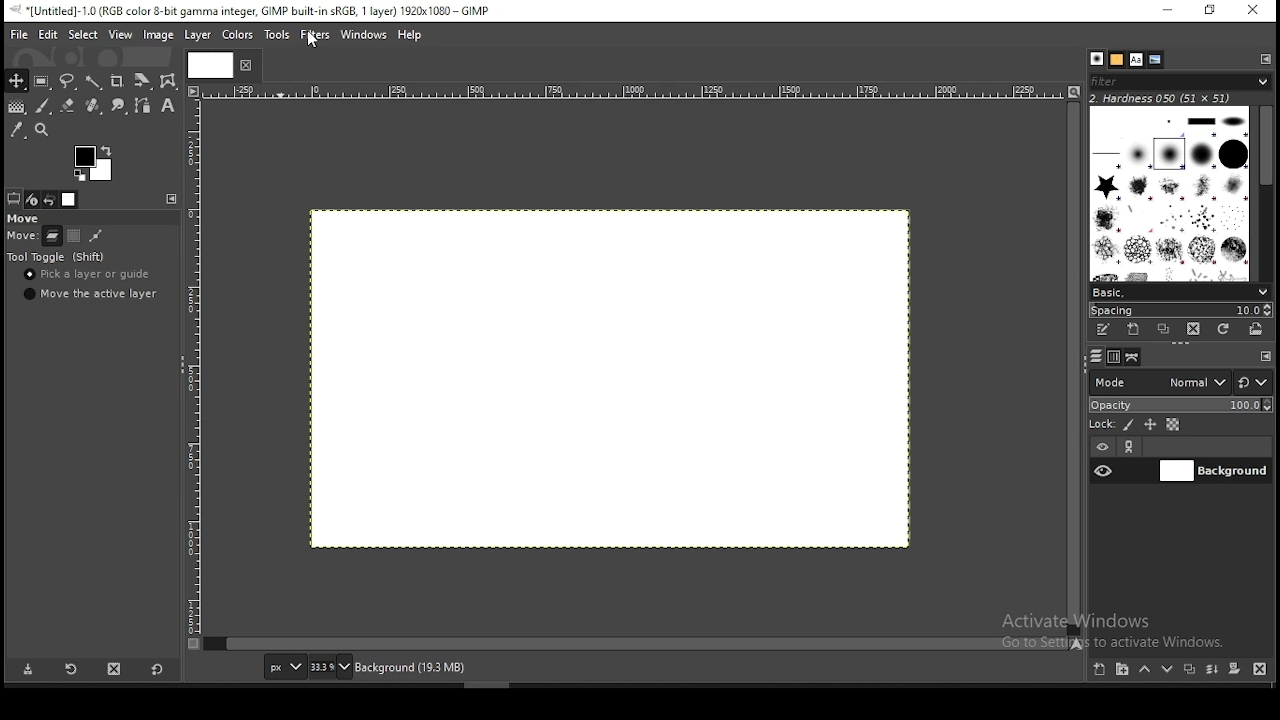  Describe the element at coordinates (69, 107) in the screenshot. I see `eraser tool` at that location.